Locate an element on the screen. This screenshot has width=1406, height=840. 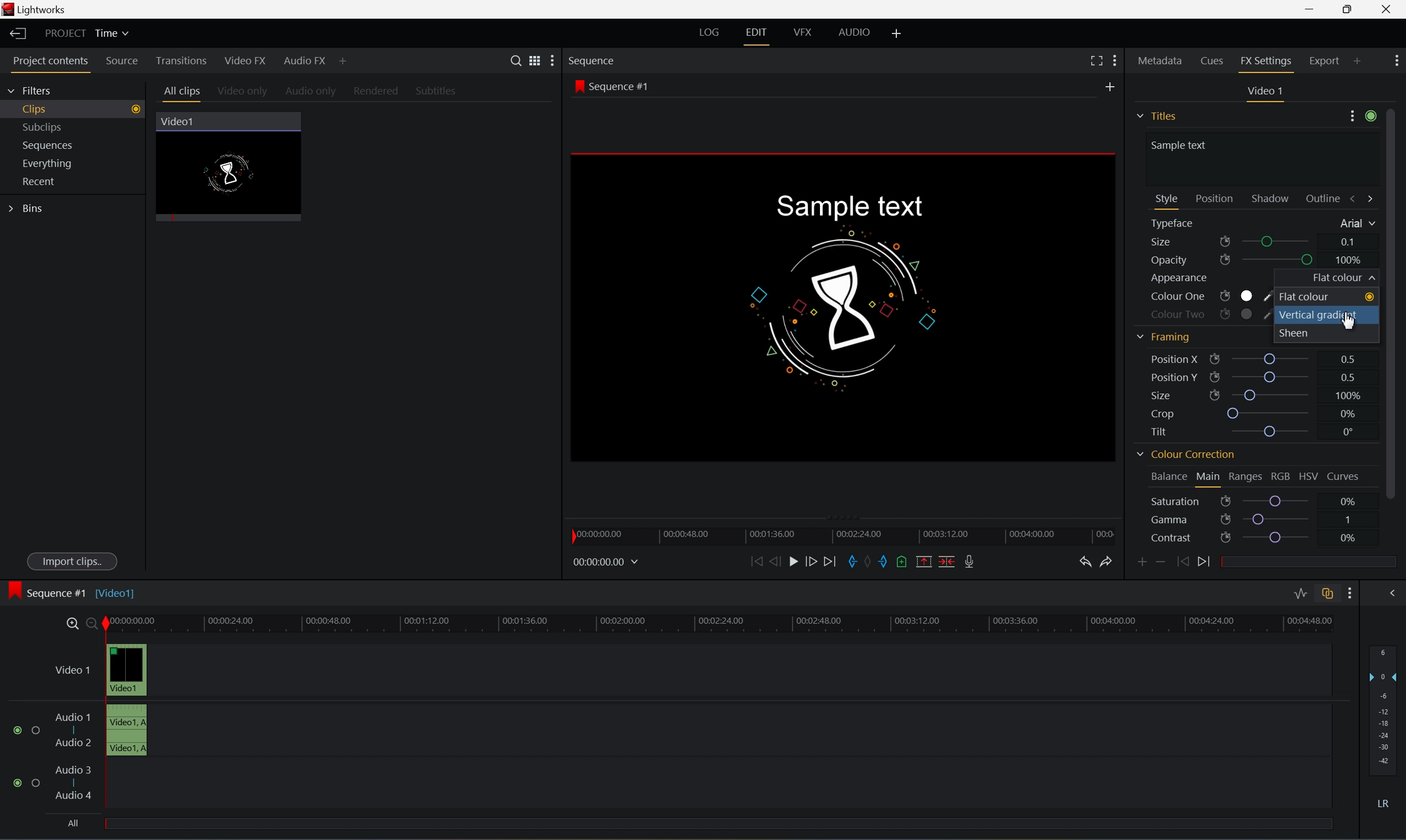
move backward is located at coordinates (757, 562).